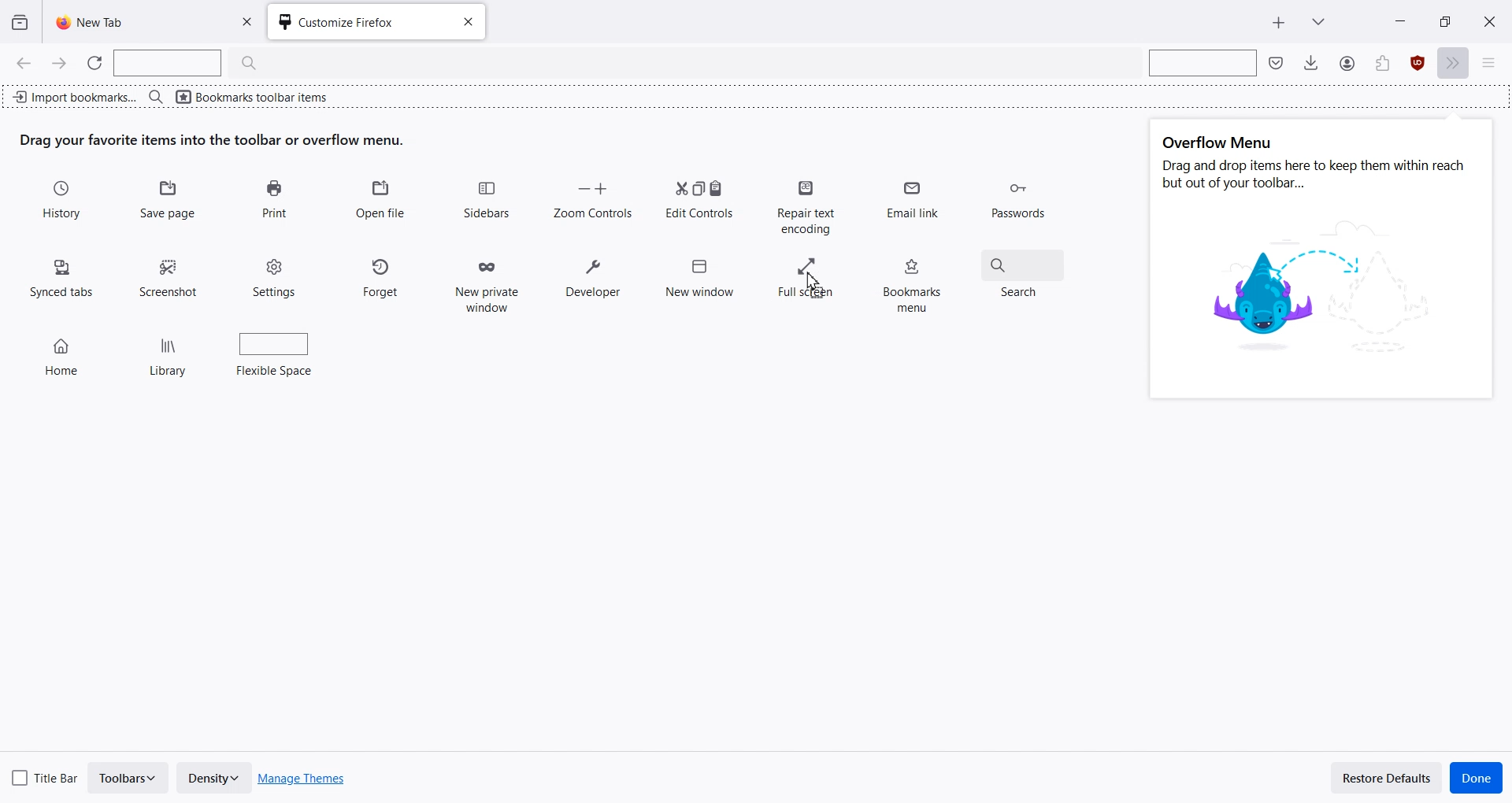  What do you see at coordinates (20, 23) in the screenshot?
I see `View recent browsing` at bounding box center [20, 23].